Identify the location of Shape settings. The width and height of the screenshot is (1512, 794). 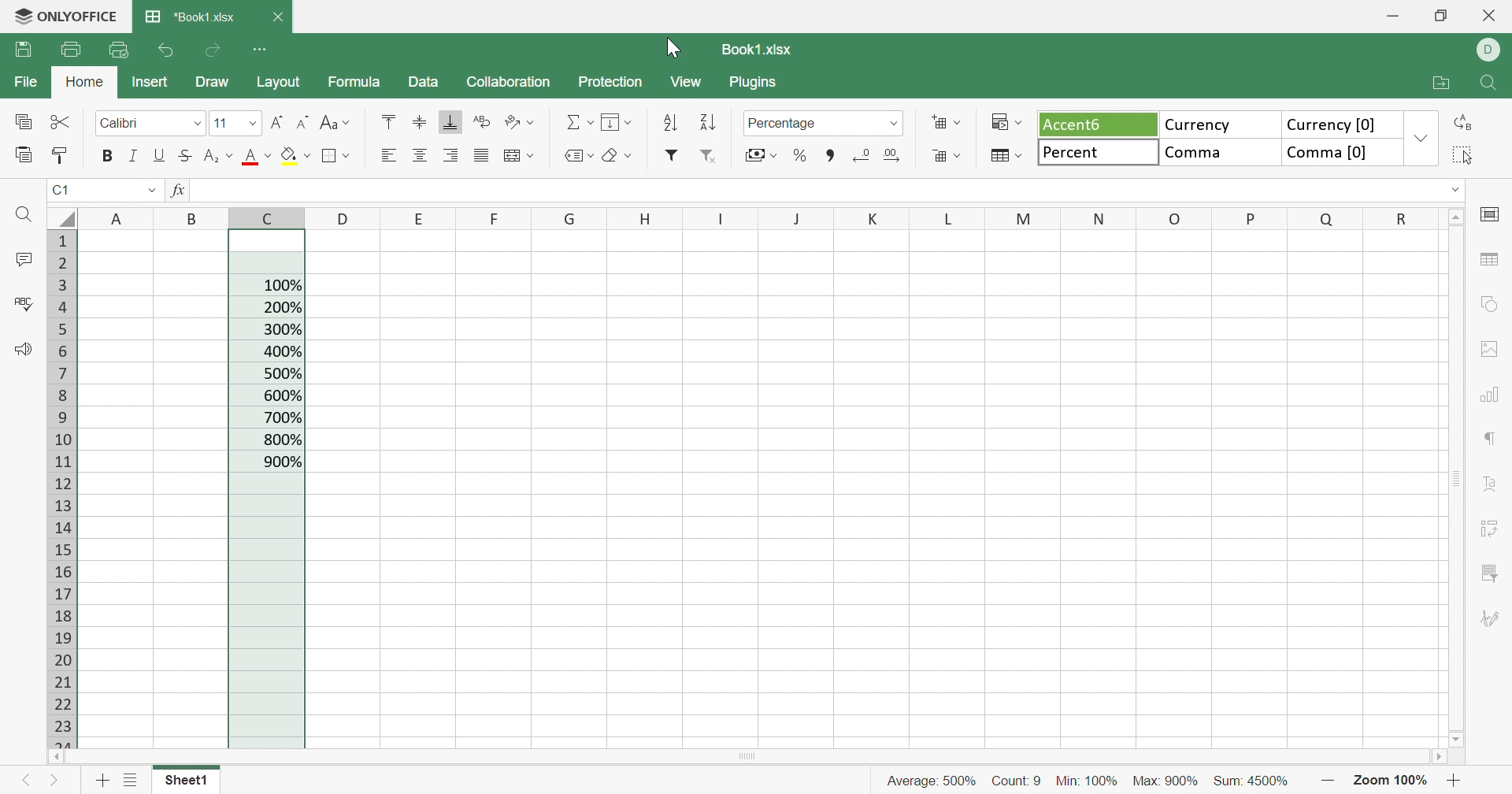
(1492, 305).